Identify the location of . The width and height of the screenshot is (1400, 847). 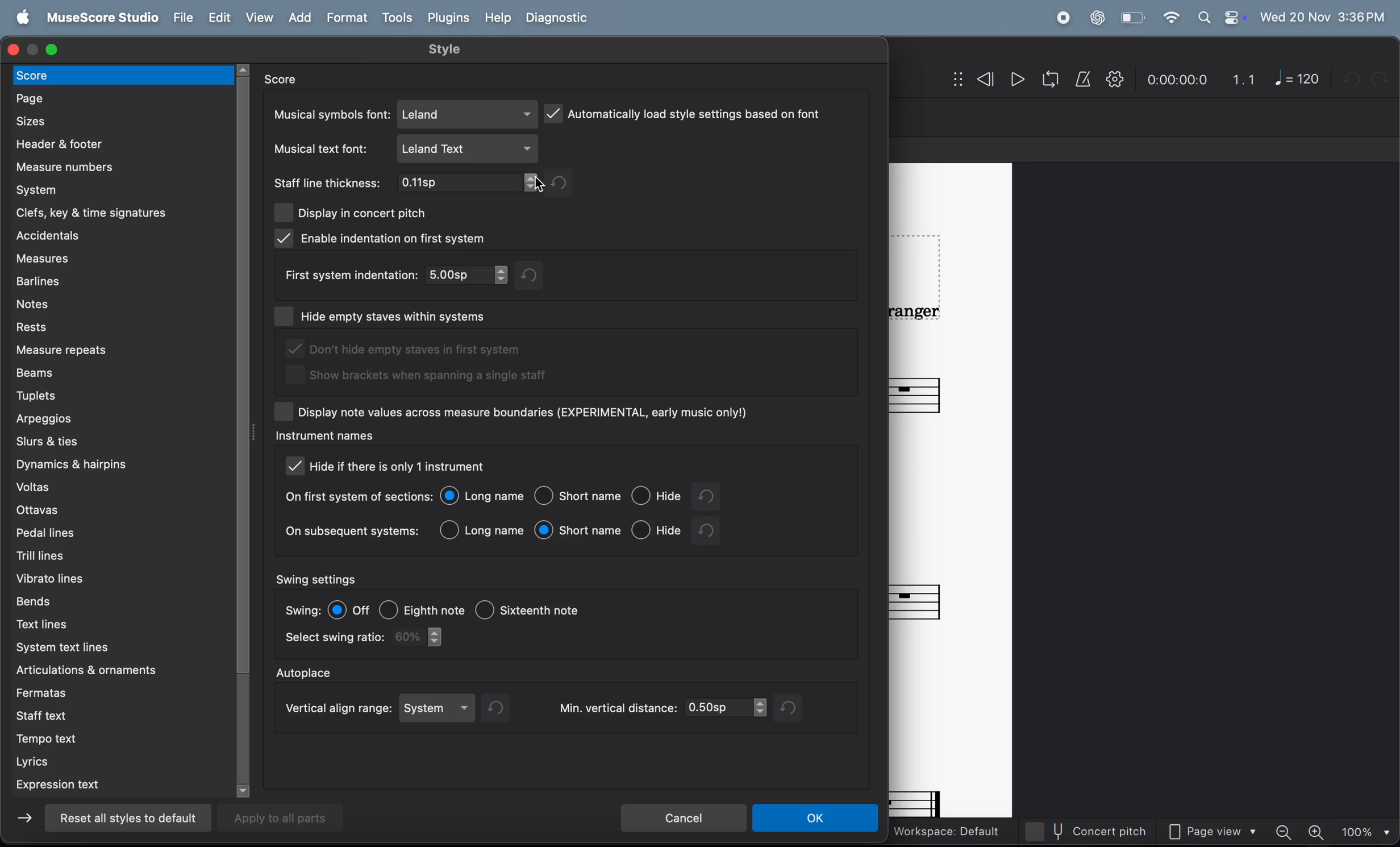
(1013, 80).